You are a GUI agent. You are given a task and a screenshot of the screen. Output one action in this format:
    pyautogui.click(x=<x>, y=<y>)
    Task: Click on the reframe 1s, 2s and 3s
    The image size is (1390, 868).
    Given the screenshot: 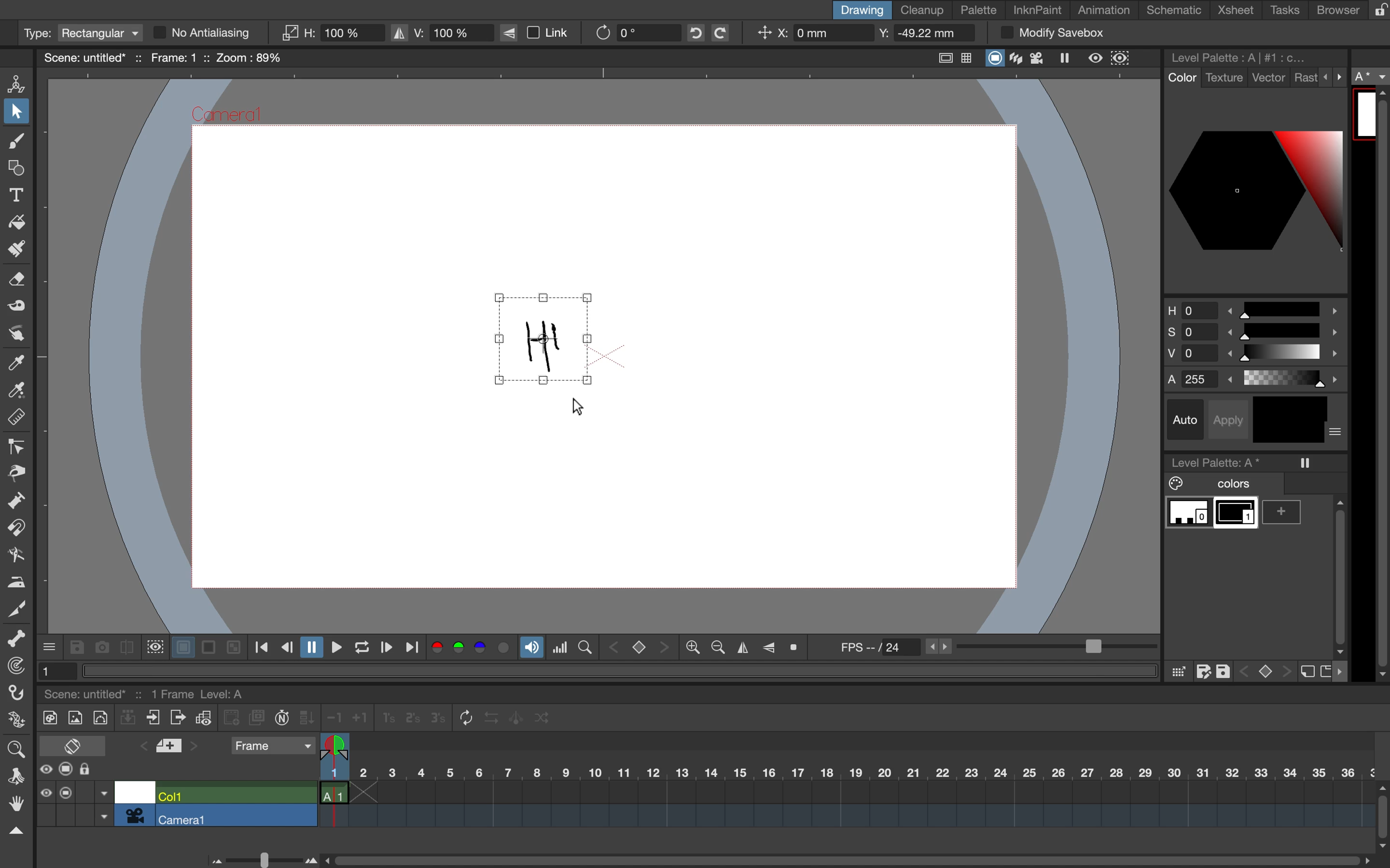 What is the action you would take?
    pyautogui.click(x=405, y=719)
    